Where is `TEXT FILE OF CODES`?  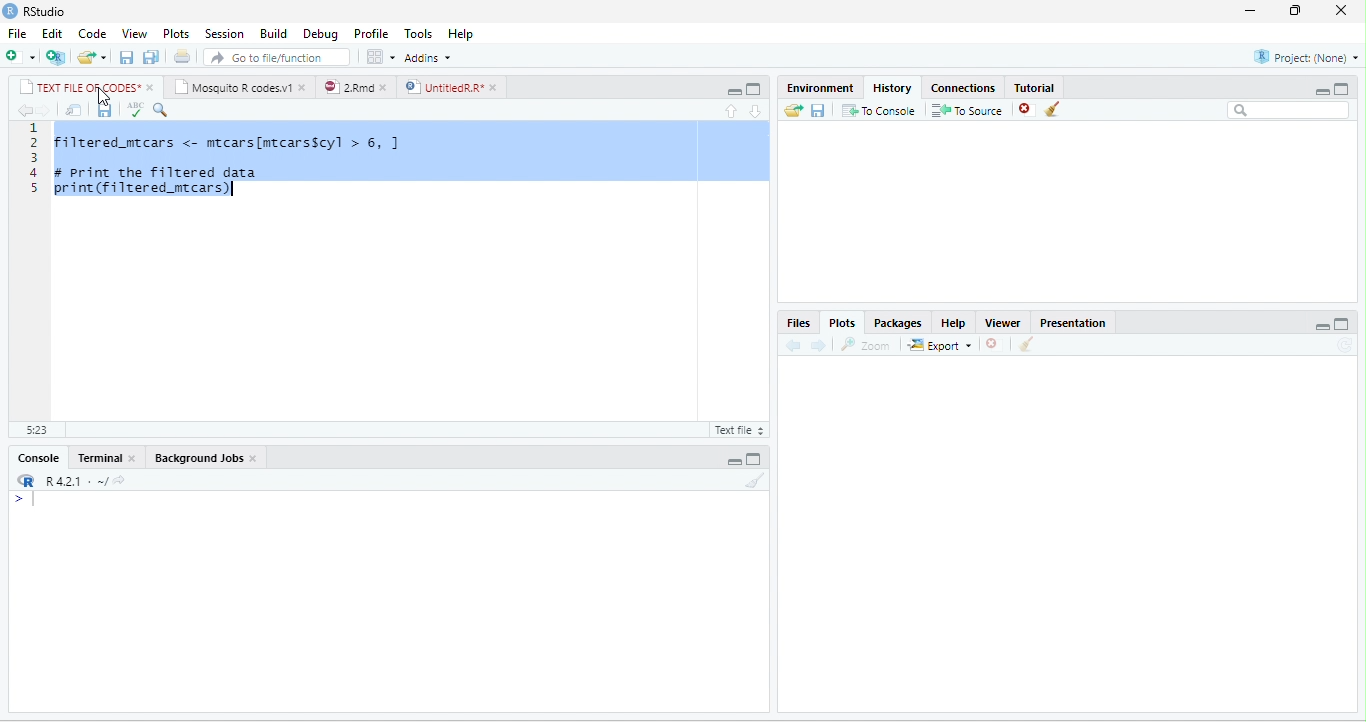
TEXT FILE OF CODES is located at coordinates (80, 86).